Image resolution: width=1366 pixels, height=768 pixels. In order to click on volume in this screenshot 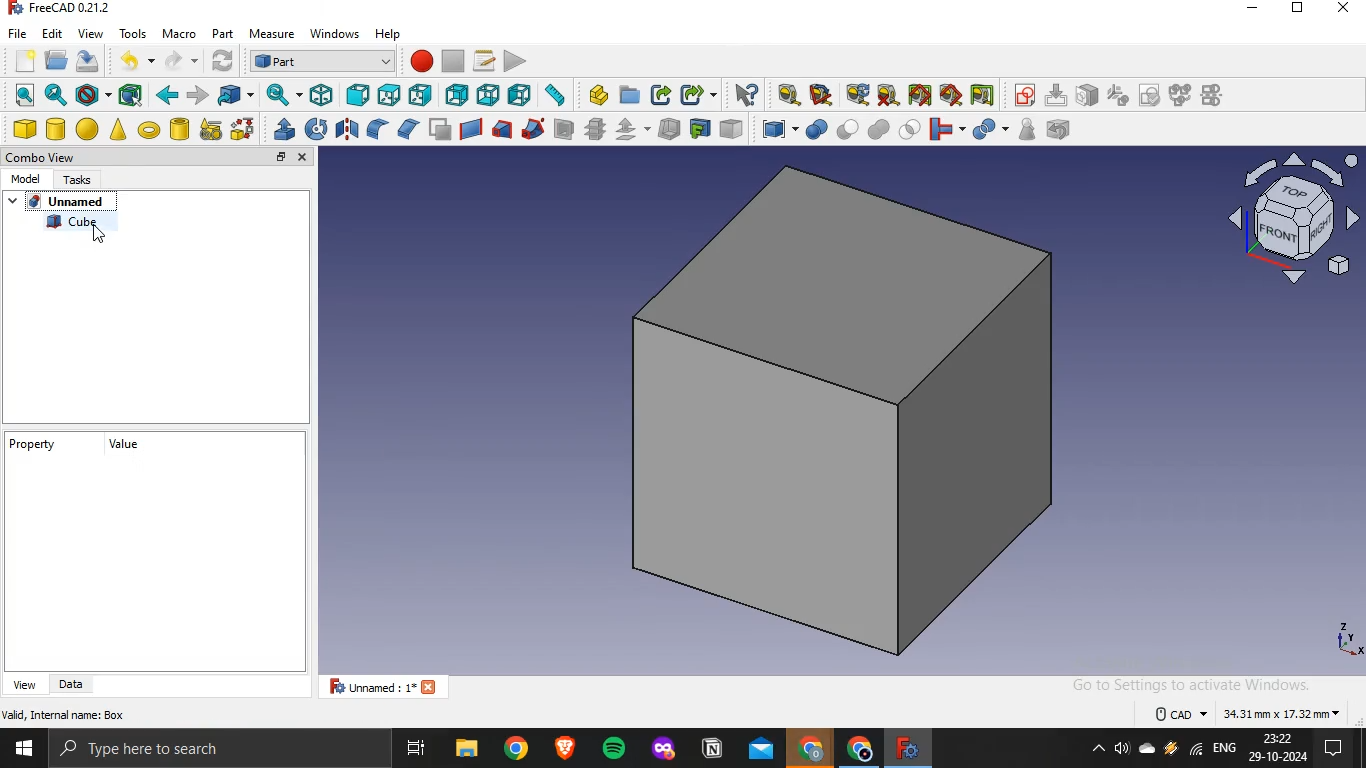, I will do `click(1121, 750)`.